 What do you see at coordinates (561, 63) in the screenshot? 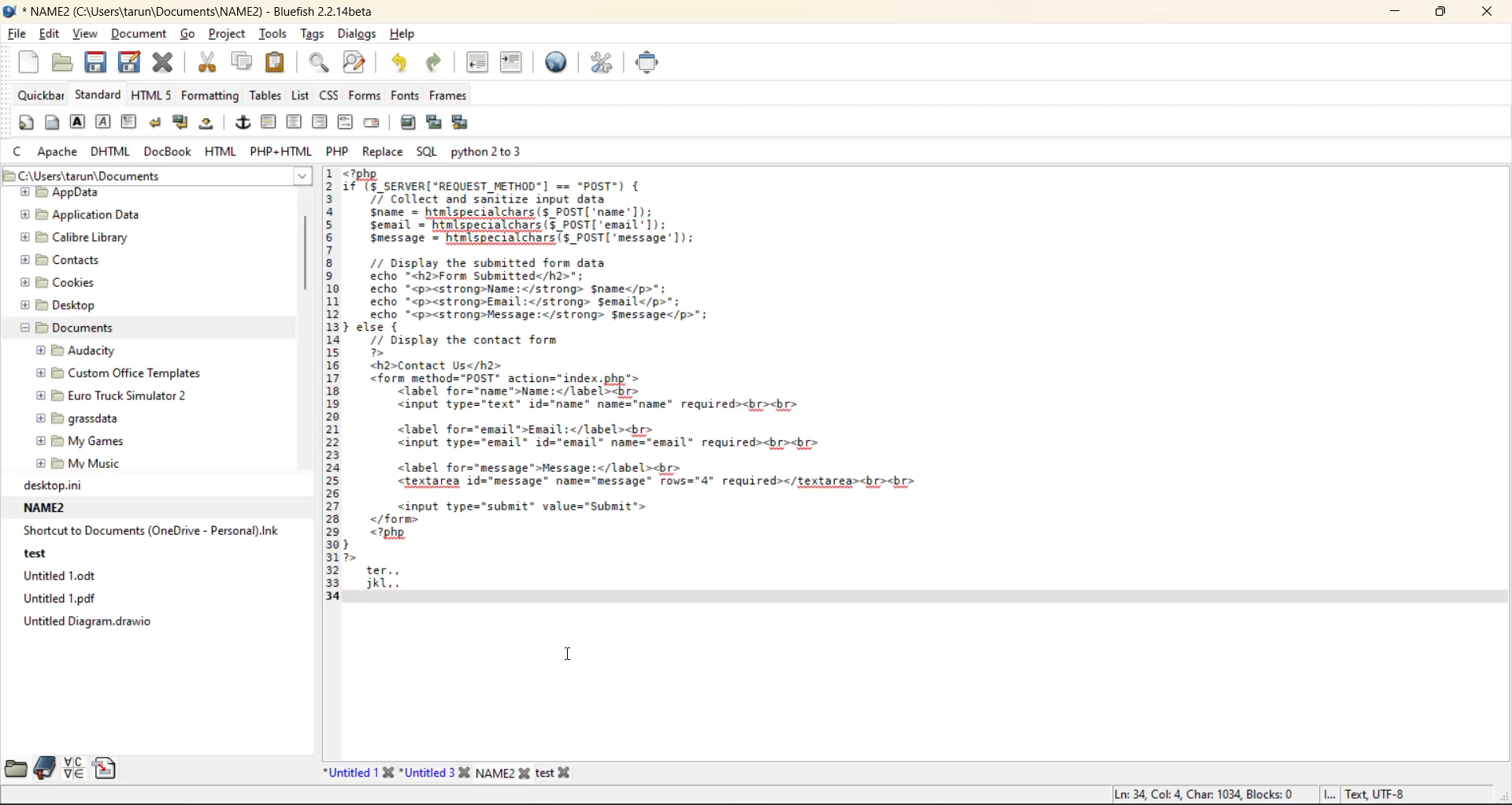
I see `preview in browser` at bounding box center [561, 63].